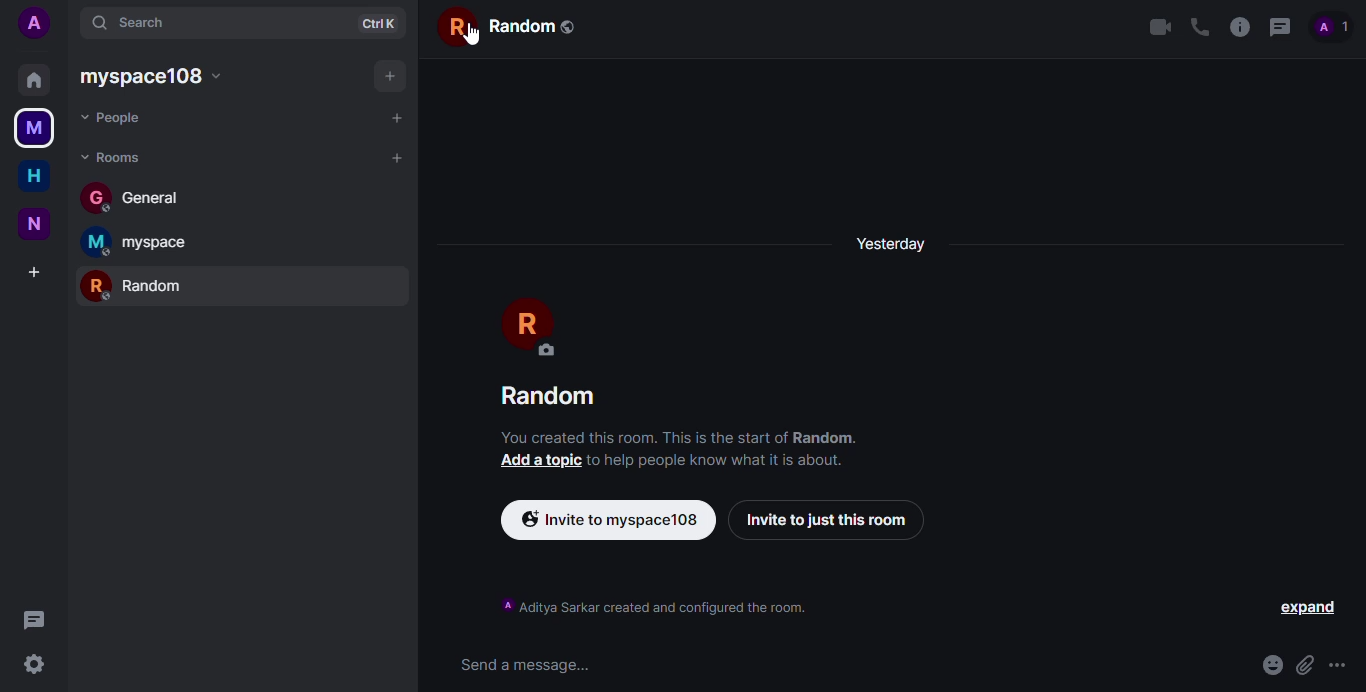 The image size is (1366, 692). Describe the element at coordinates (157, 77) in the screenshot. I see `myspace` at that location.